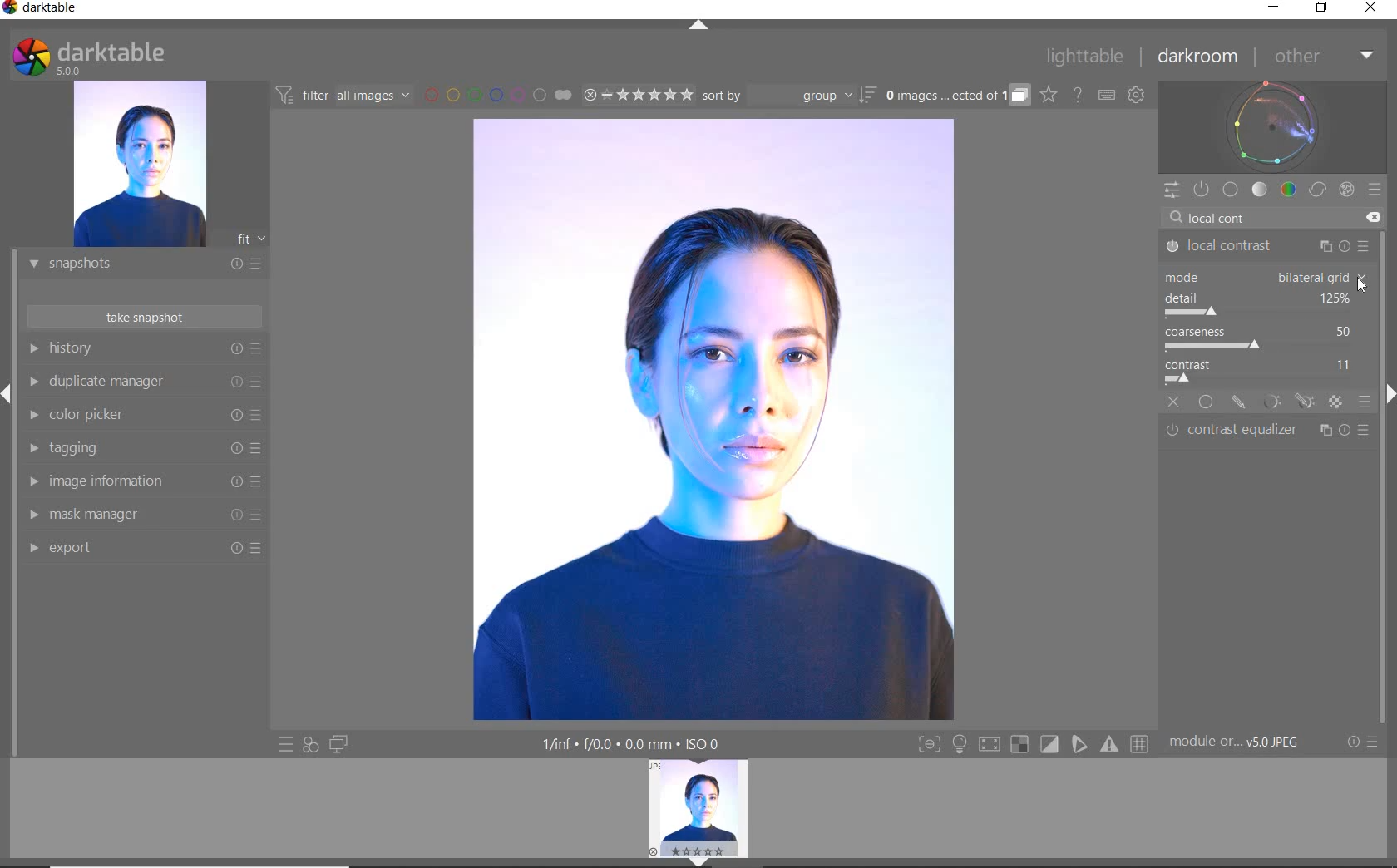 This screenshot has width=1397, height=868. What do you see at coordinates (338, 744) in the screenshot?
I see `DISPLAY A SECOND DARKROOM IMAGE WINDOW` at bounding box center [338, 744].